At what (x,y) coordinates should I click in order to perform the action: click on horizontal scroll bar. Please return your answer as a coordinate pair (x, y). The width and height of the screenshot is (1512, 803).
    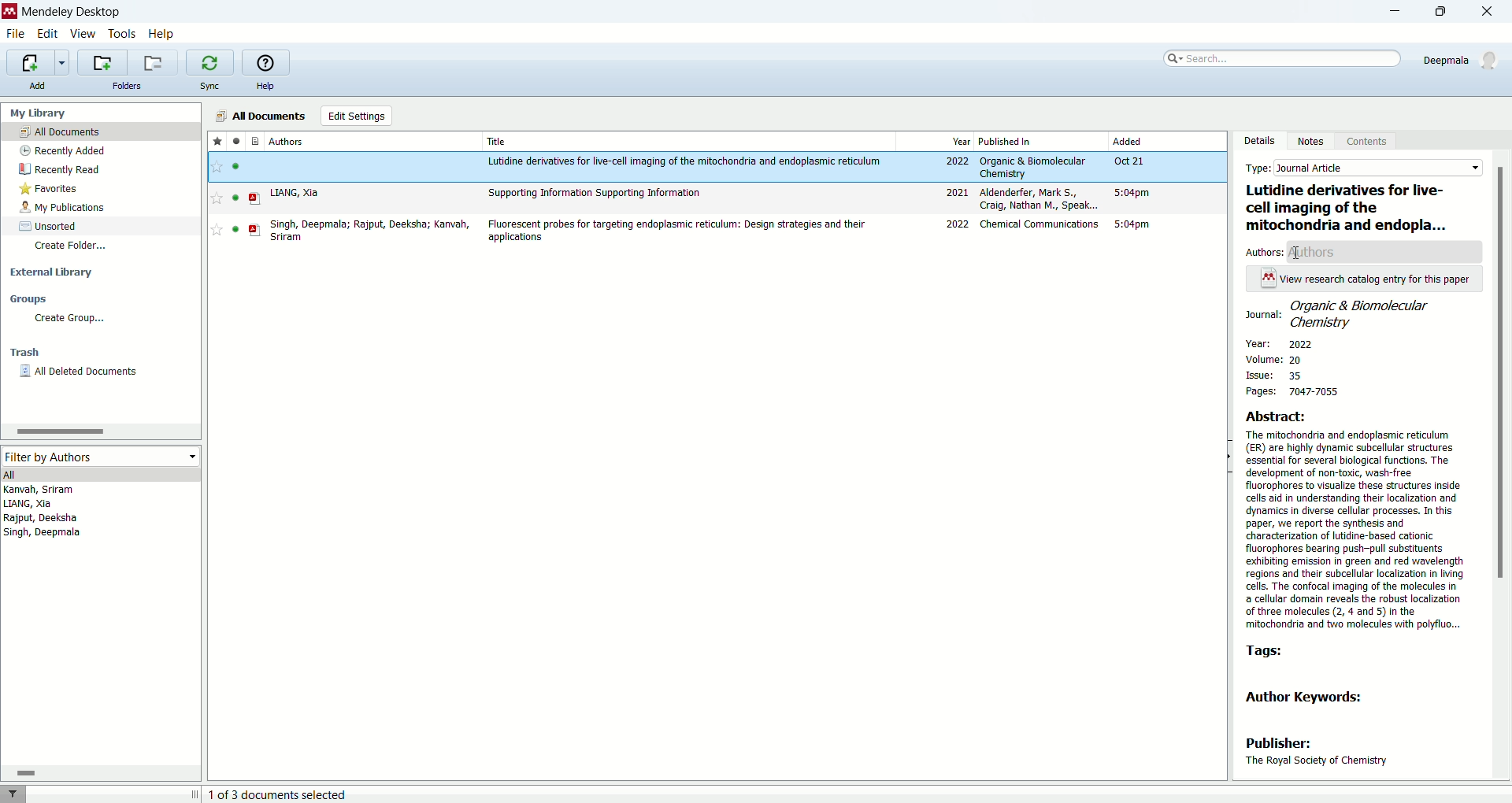
    Looking at the image, I should click on (99, 431).